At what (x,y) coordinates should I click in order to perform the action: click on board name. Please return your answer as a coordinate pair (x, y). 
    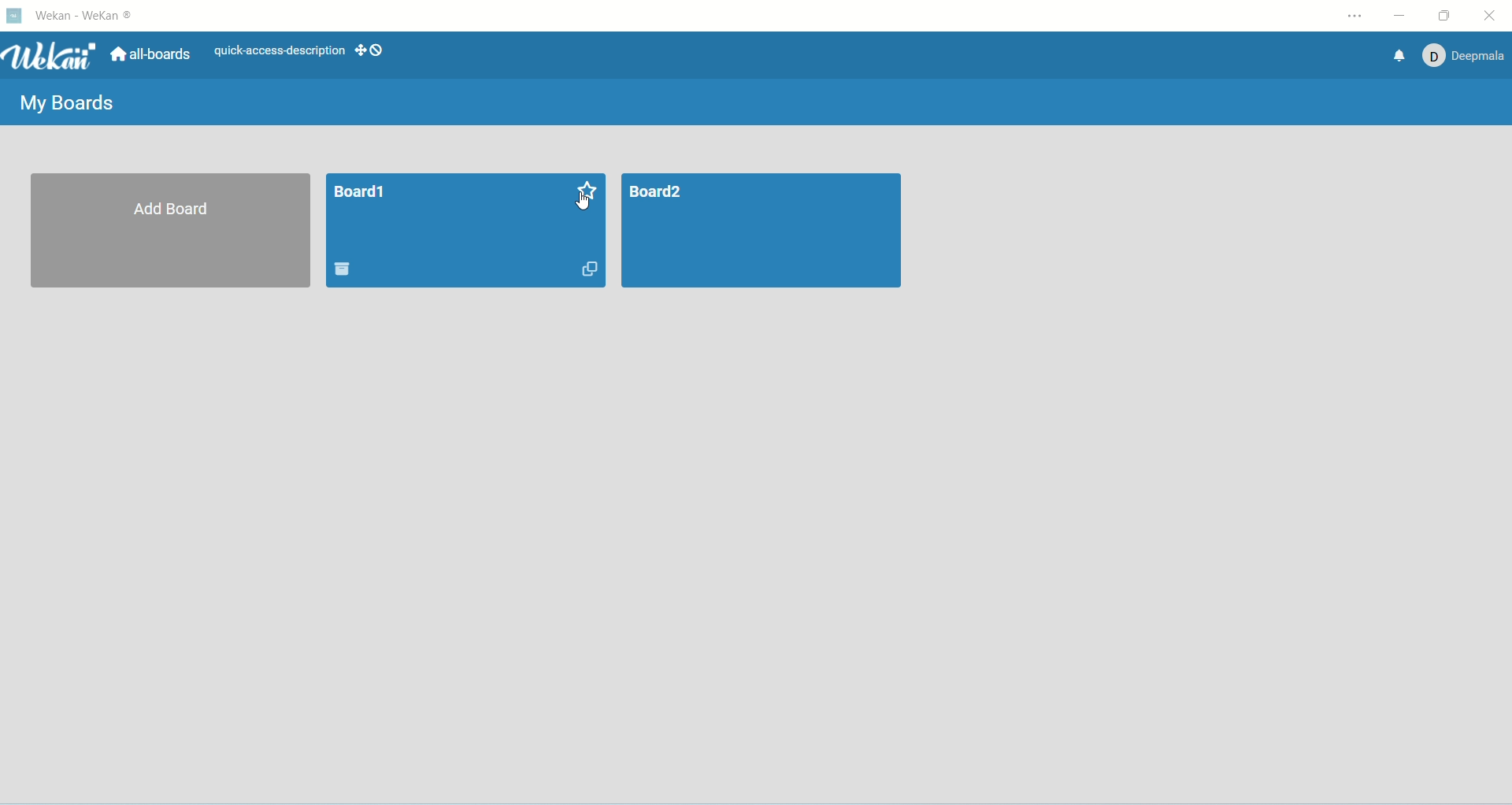
    Looking at the image, I should click on (359, 192).